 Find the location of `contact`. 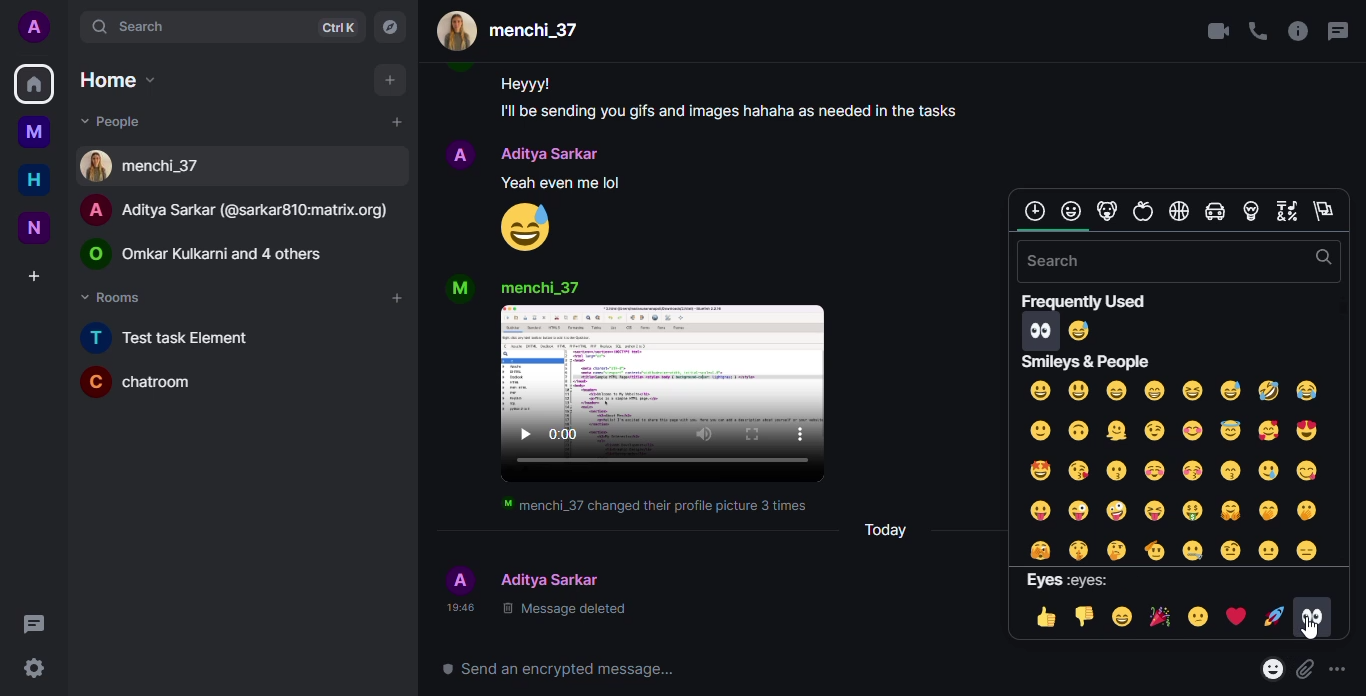

contact is located at coordinates (147, 166).